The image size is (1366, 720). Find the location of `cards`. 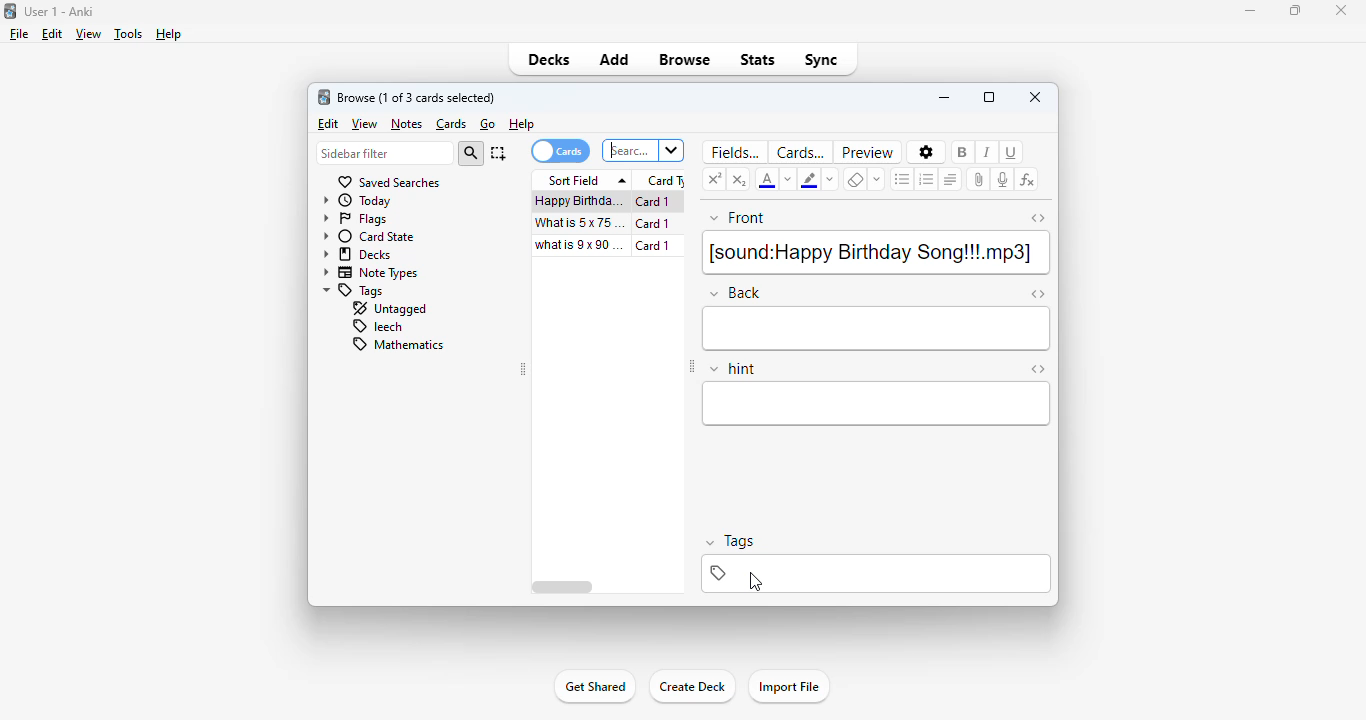

cards is located at coordinates (452, 125).